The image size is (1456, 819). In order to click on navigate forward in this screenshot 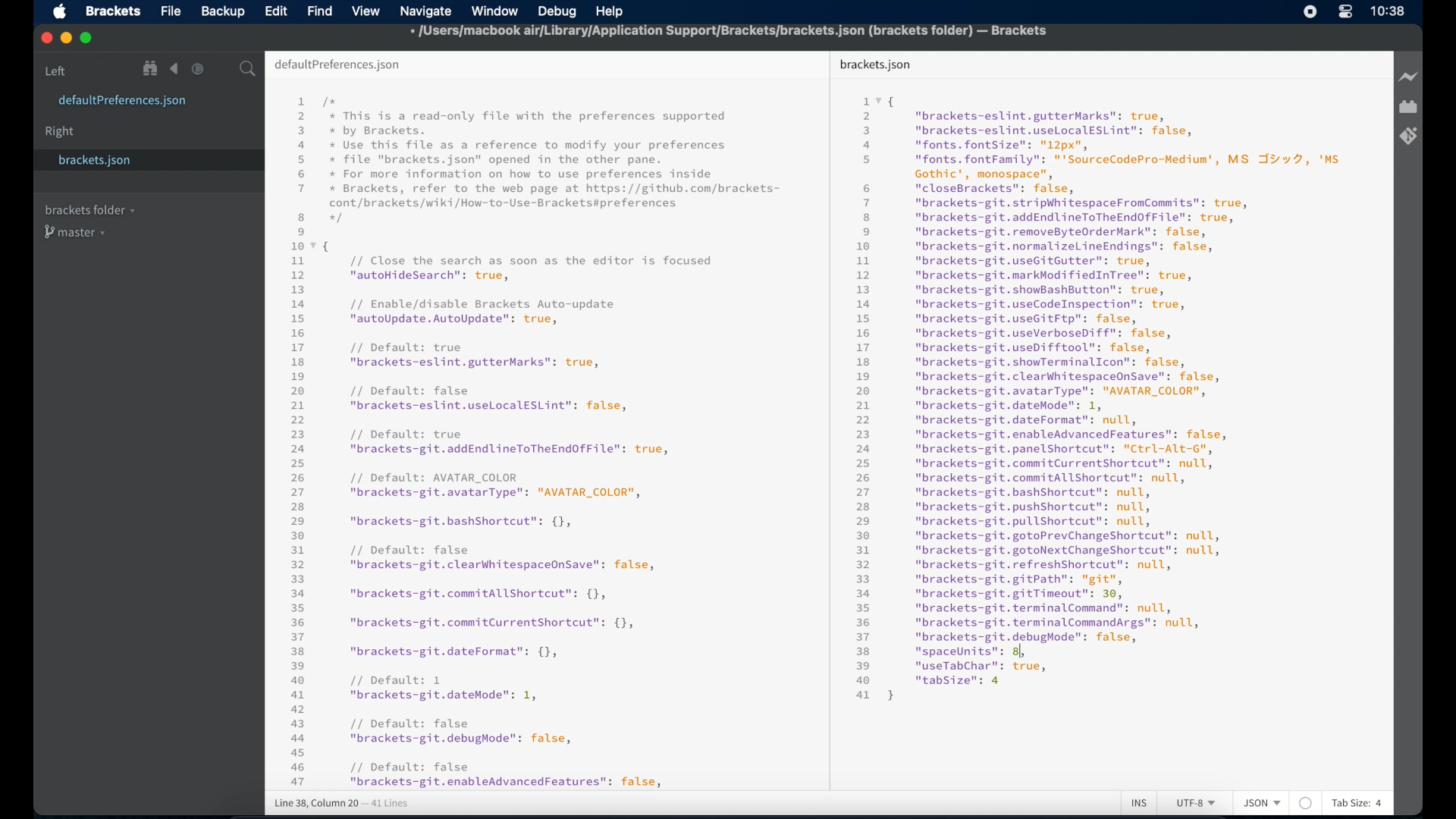, I will do `click(198, 69)`.